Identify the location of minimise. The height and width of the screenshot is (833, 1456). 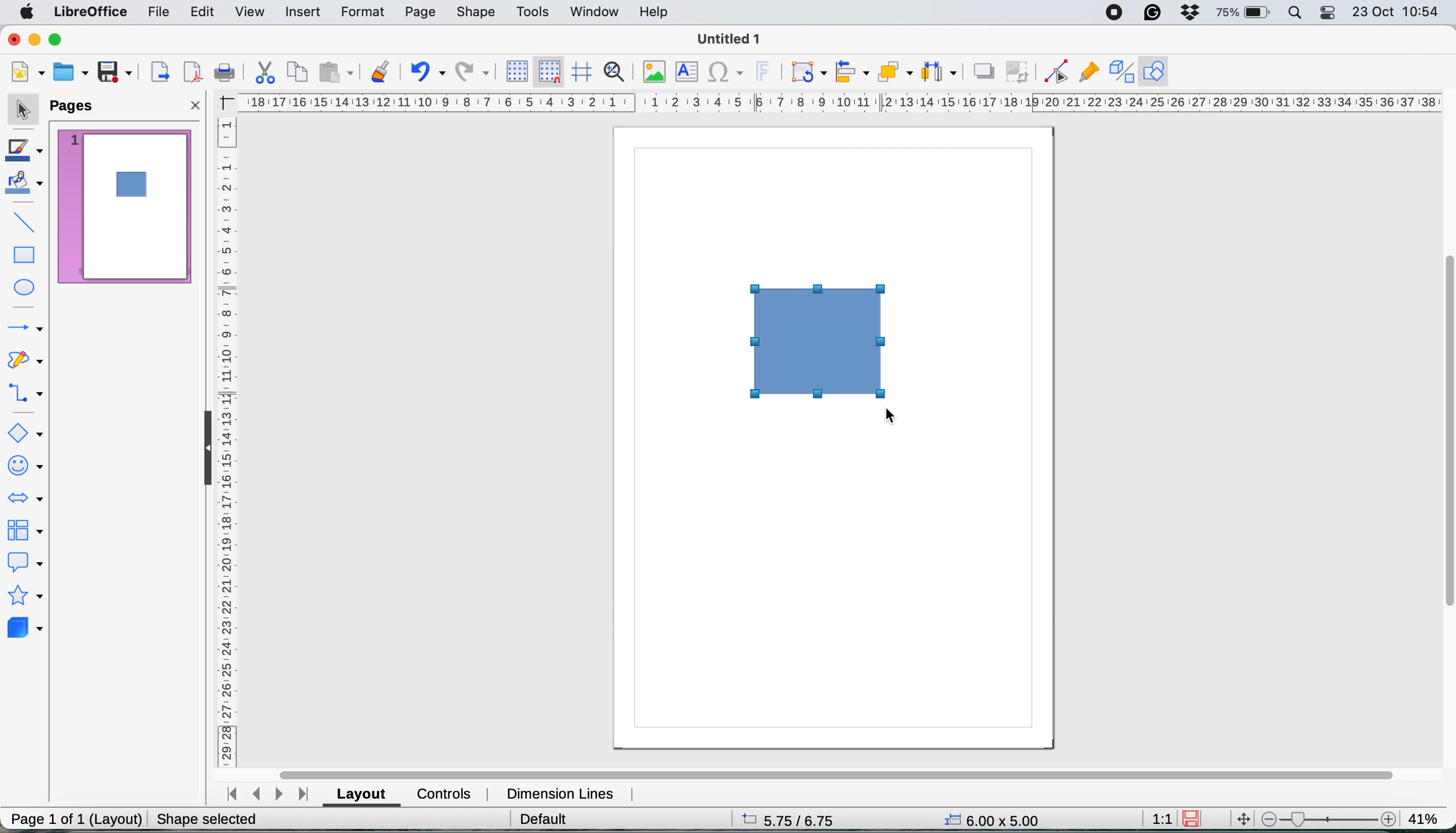
(34, 38).